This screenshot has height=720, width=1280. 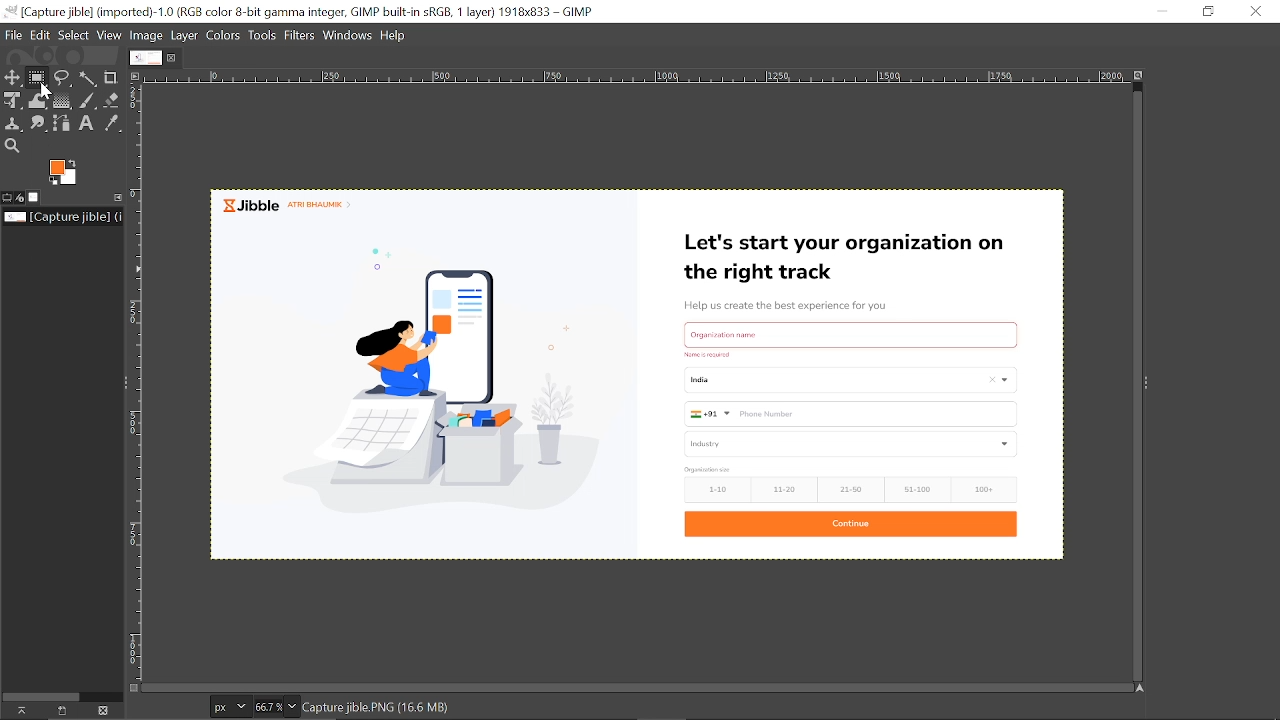 I want to click on Close current image, so click(x=173, y=58).